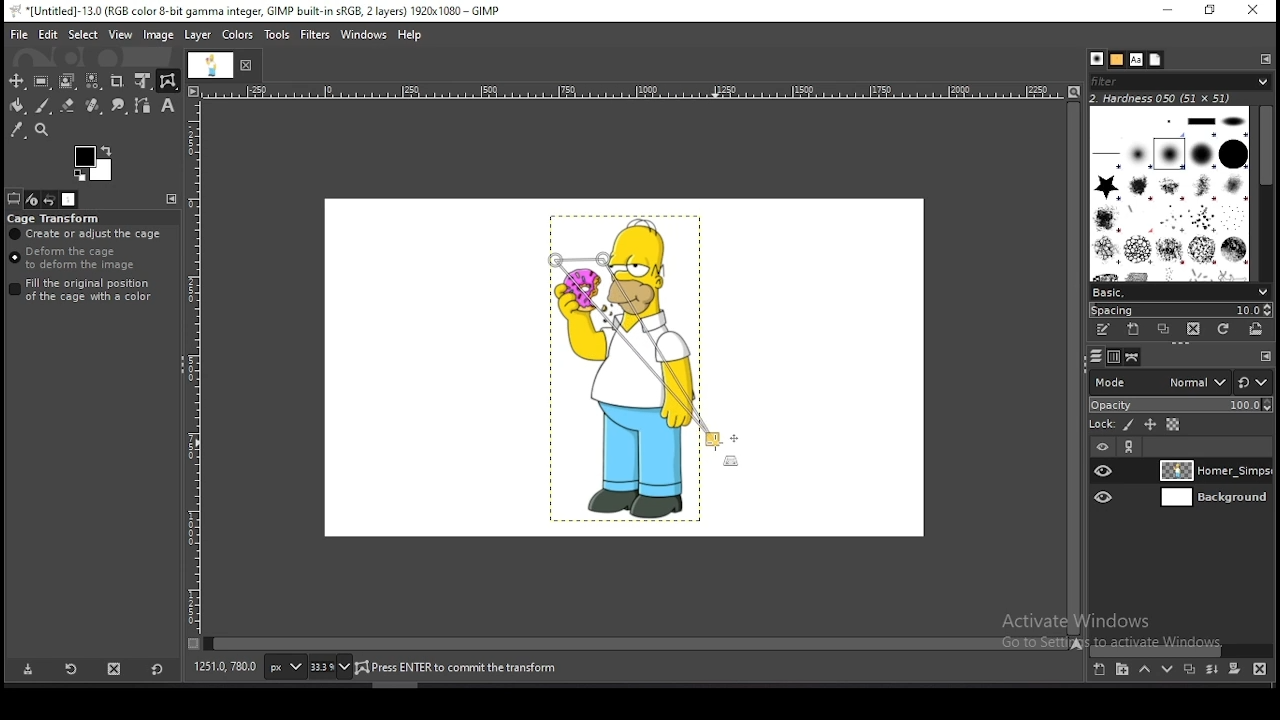  I want to click on zoom status, so click(329, 667).